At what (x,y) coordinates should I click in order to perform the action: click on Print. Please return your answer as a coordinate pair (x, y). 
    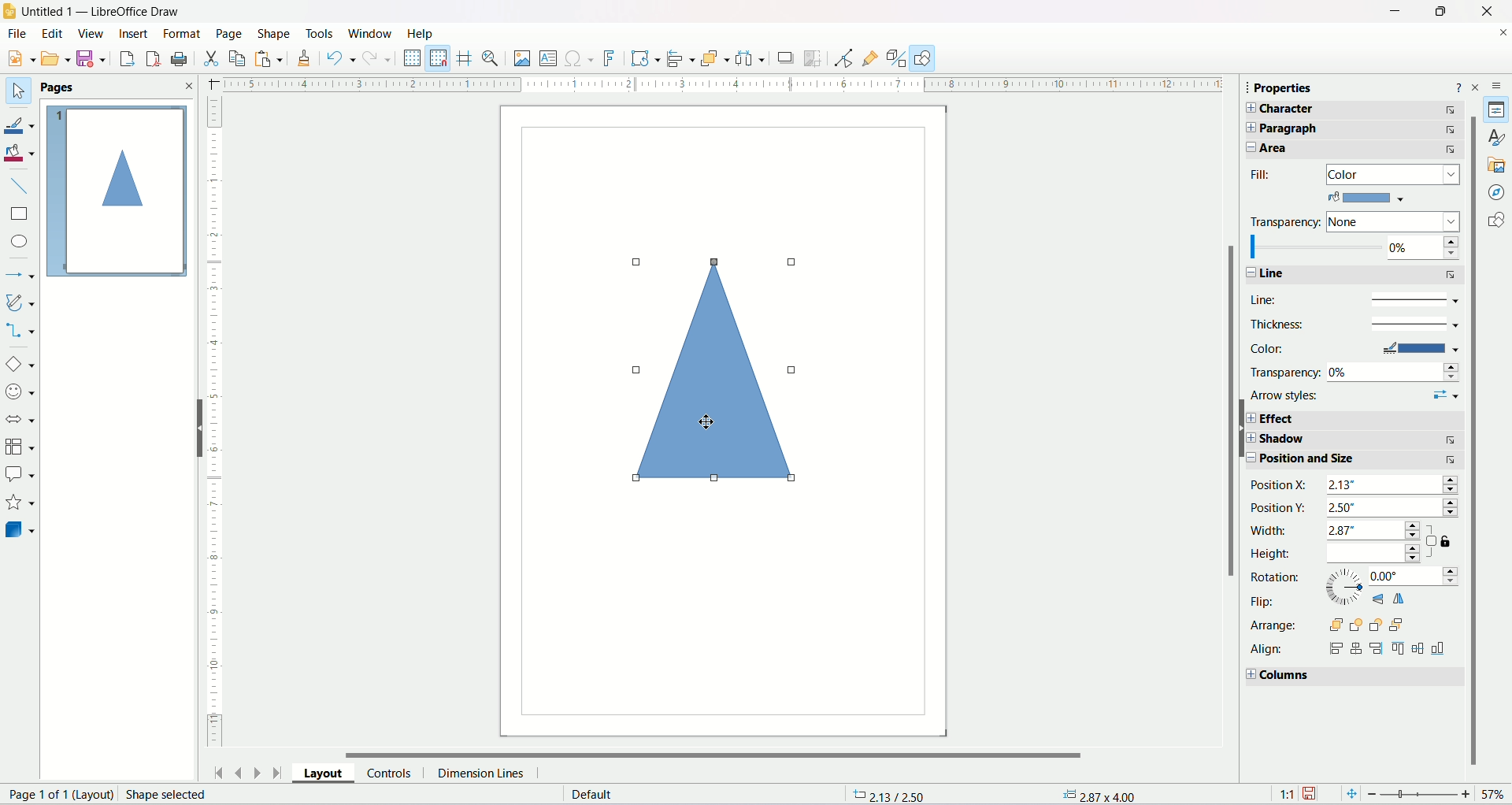
    Looking at the image, I should click on (180, 58).